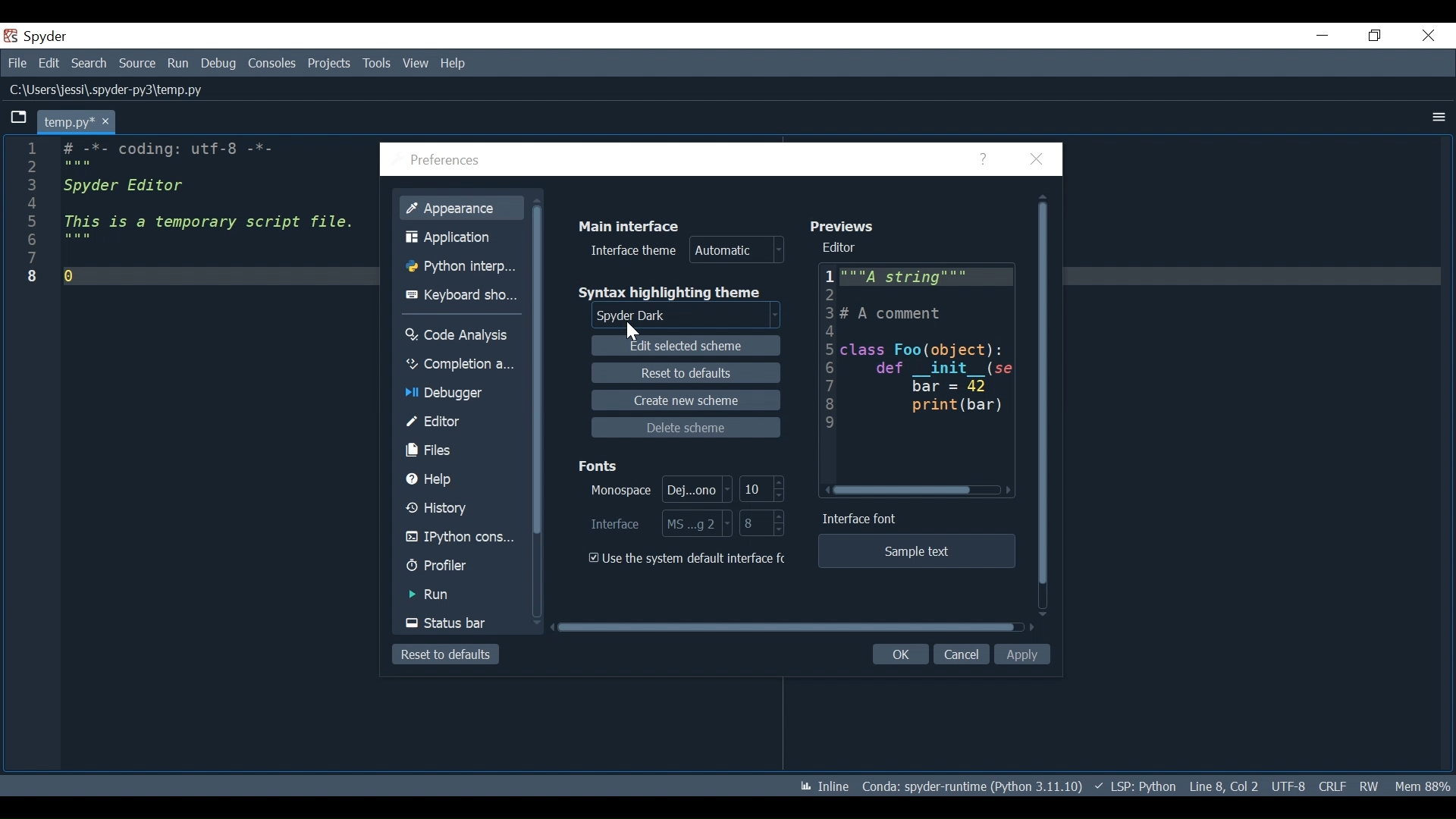 The width and height of the screenshot is (1456, 819). I want to click on Completion Analysis, so click(462, 365).